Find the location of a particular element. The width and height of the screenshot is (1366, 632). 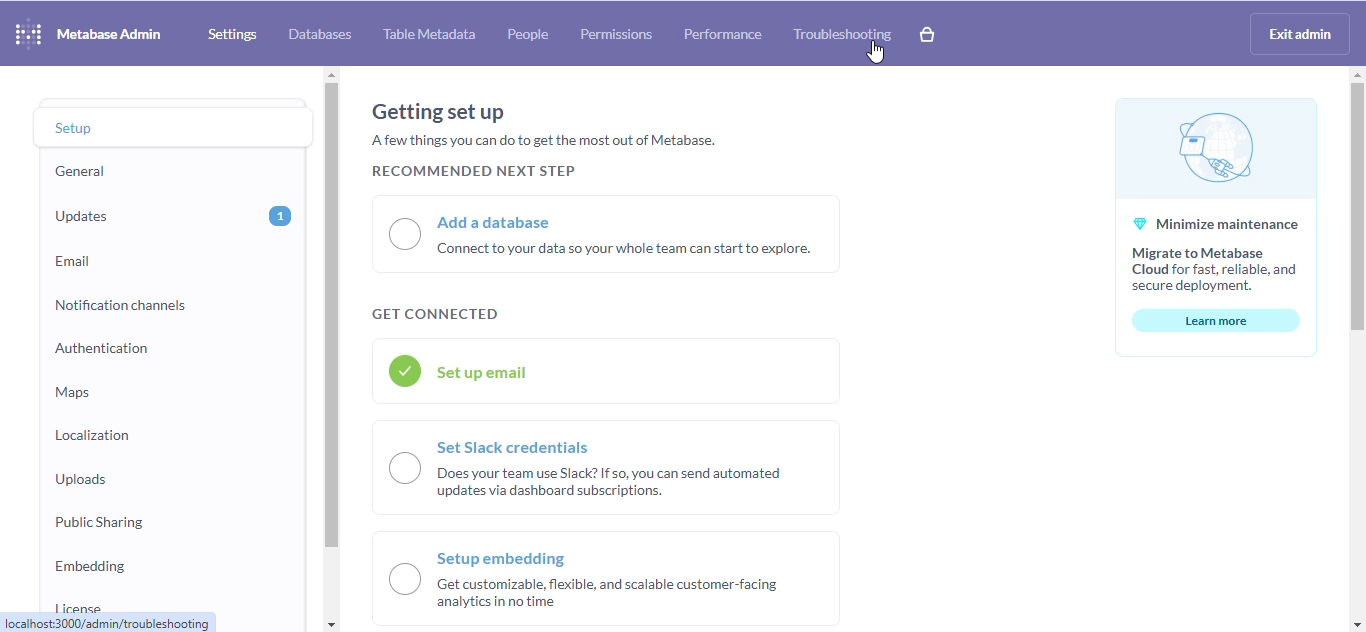

add a database is located at coordinates (607, 234).